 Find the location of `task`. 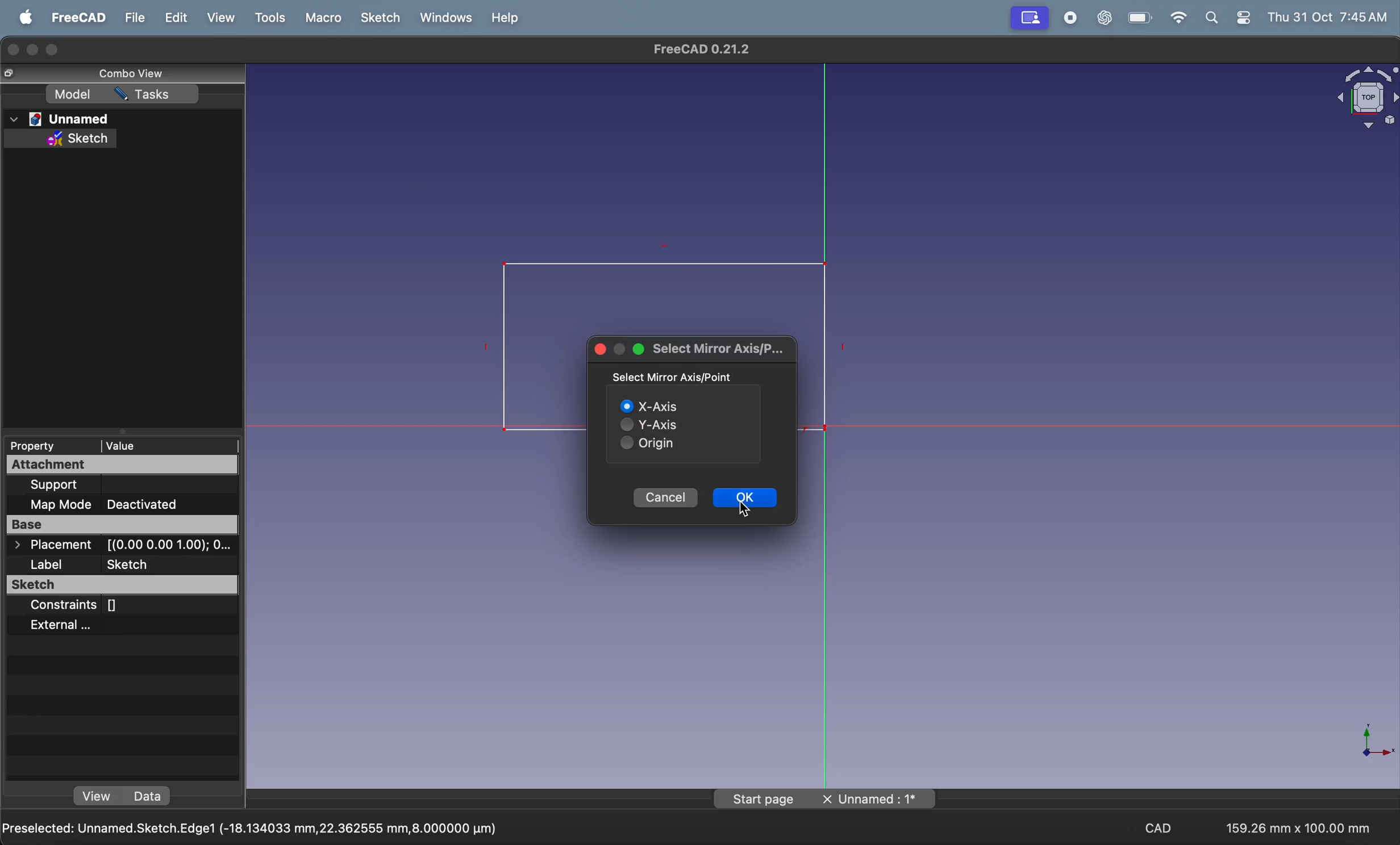

task is located at coordinates (157, 95).